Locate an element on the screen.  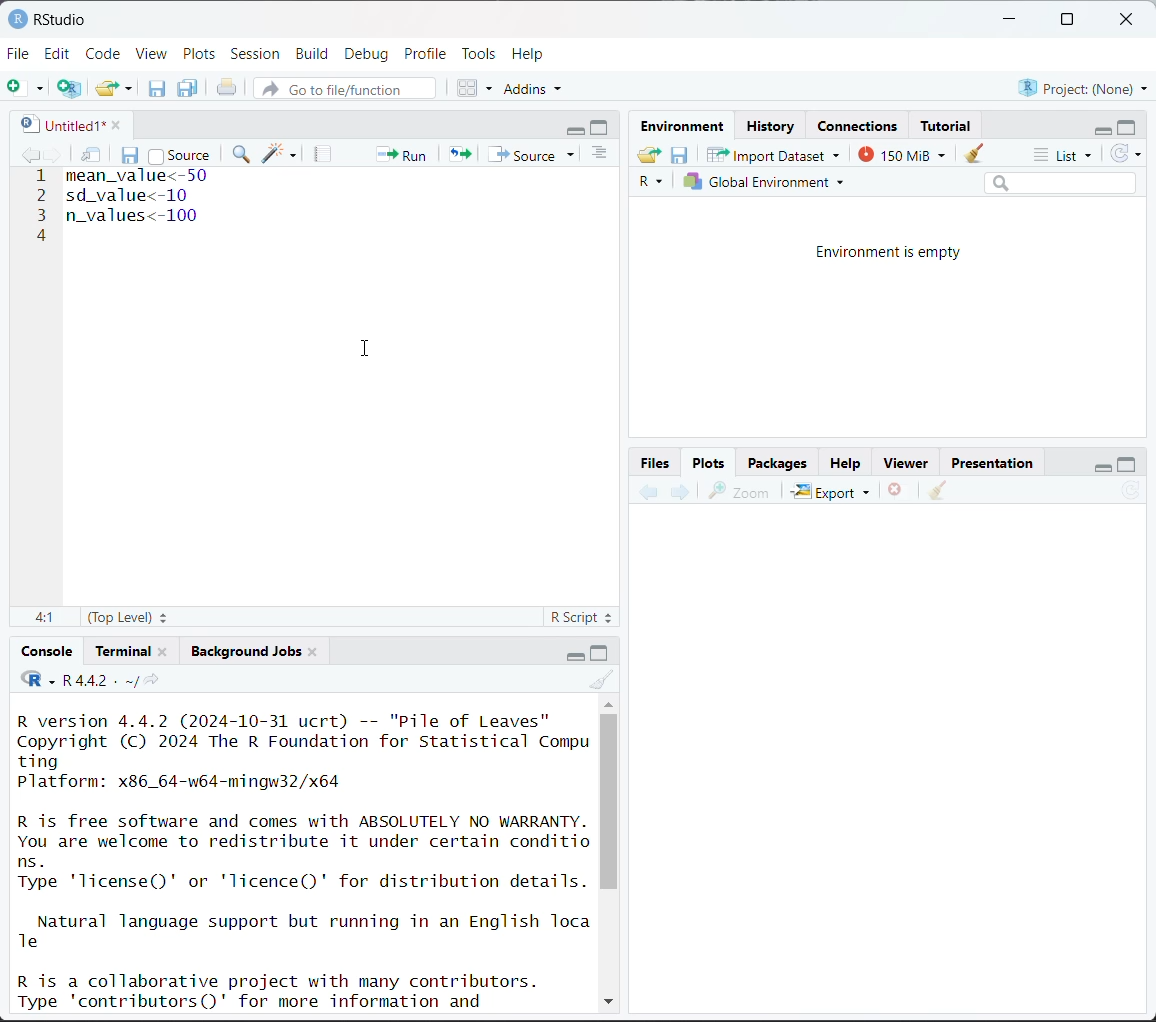
close is located at coordinates (313, 650).